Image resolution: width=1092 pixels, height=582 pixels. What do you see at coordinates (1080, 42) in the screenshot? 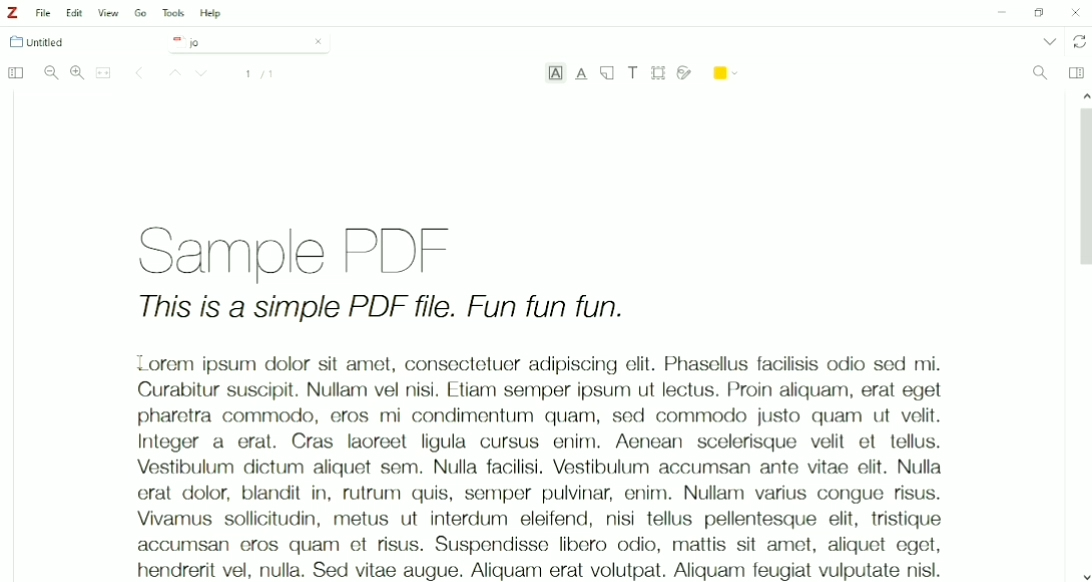
I see `Sync` at bounding box center [1080, 42].